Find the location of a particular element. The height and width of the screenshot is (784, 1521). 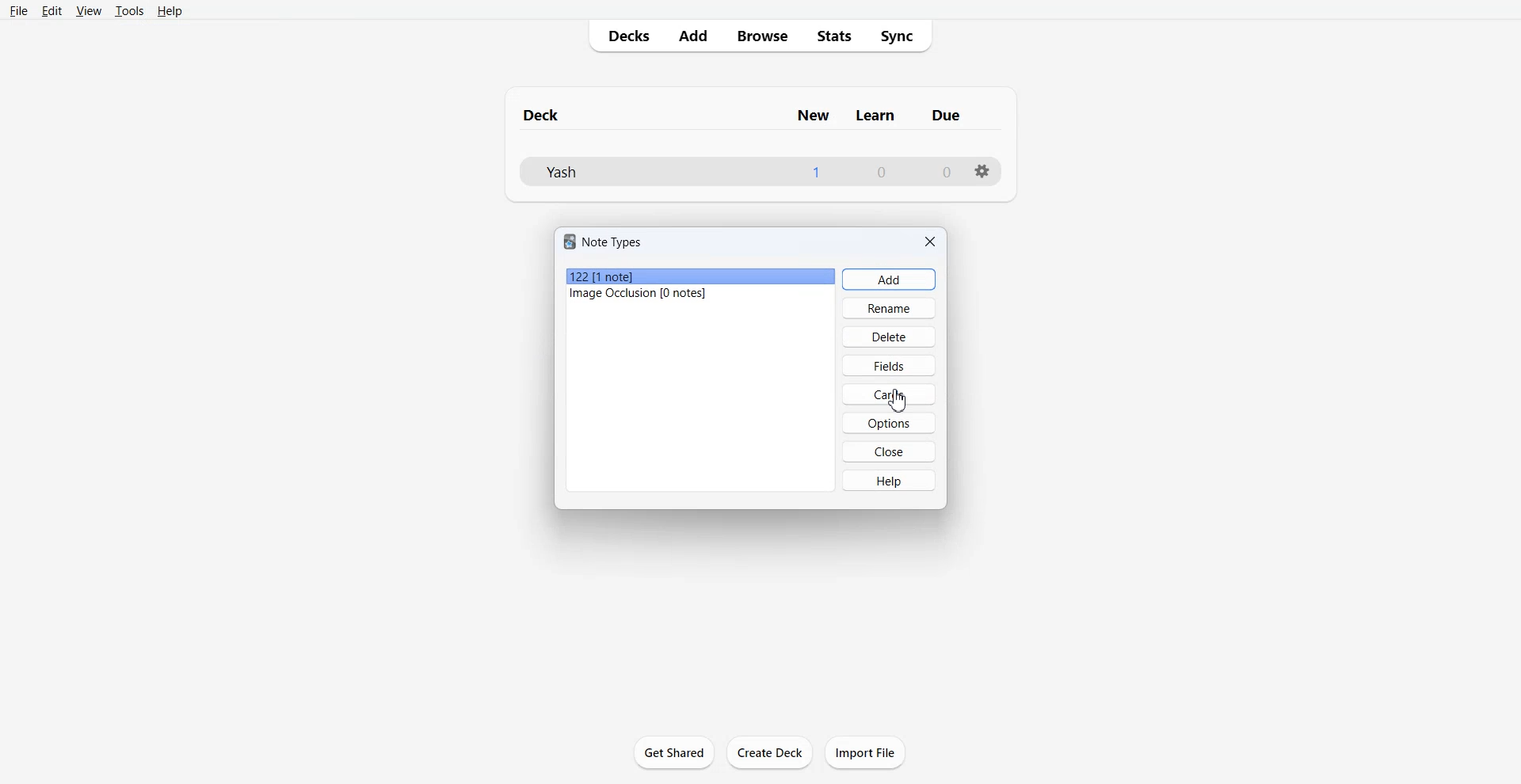

Options is located at coordinates (887, 423).